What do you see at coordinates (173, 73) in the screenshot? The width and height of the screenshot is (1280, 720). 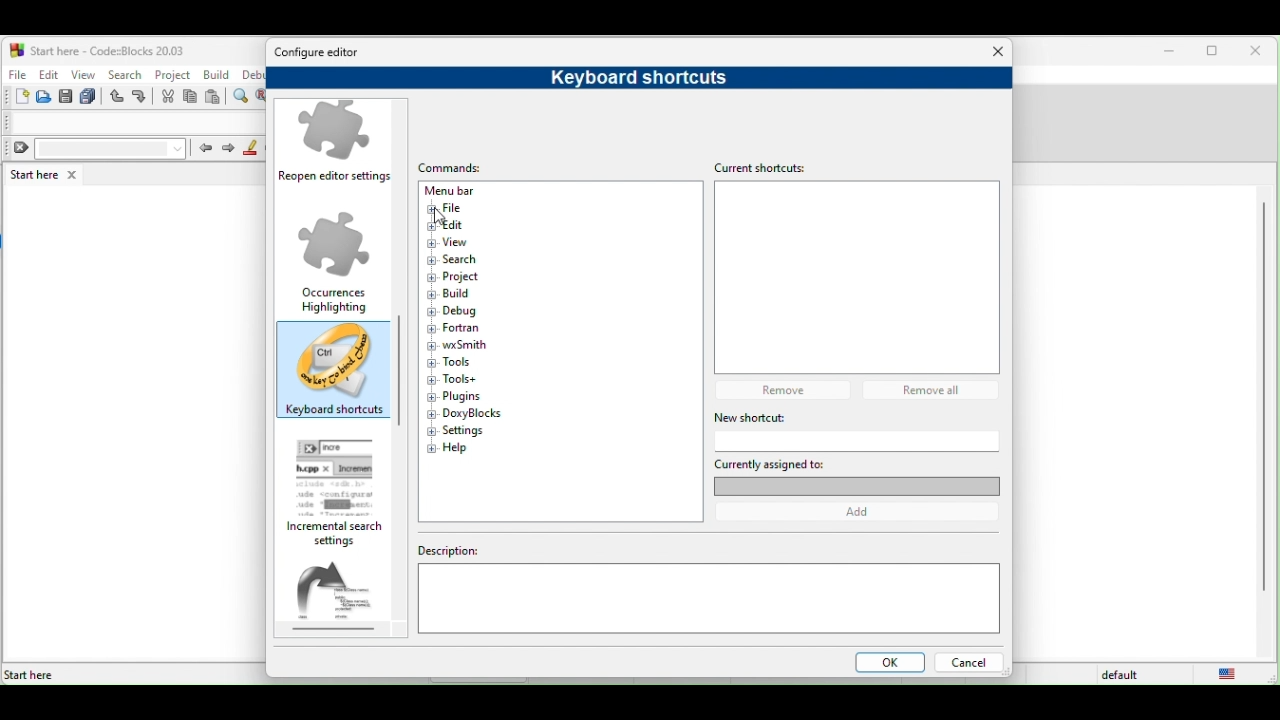 I see `project` at bounding box center [173, 73].